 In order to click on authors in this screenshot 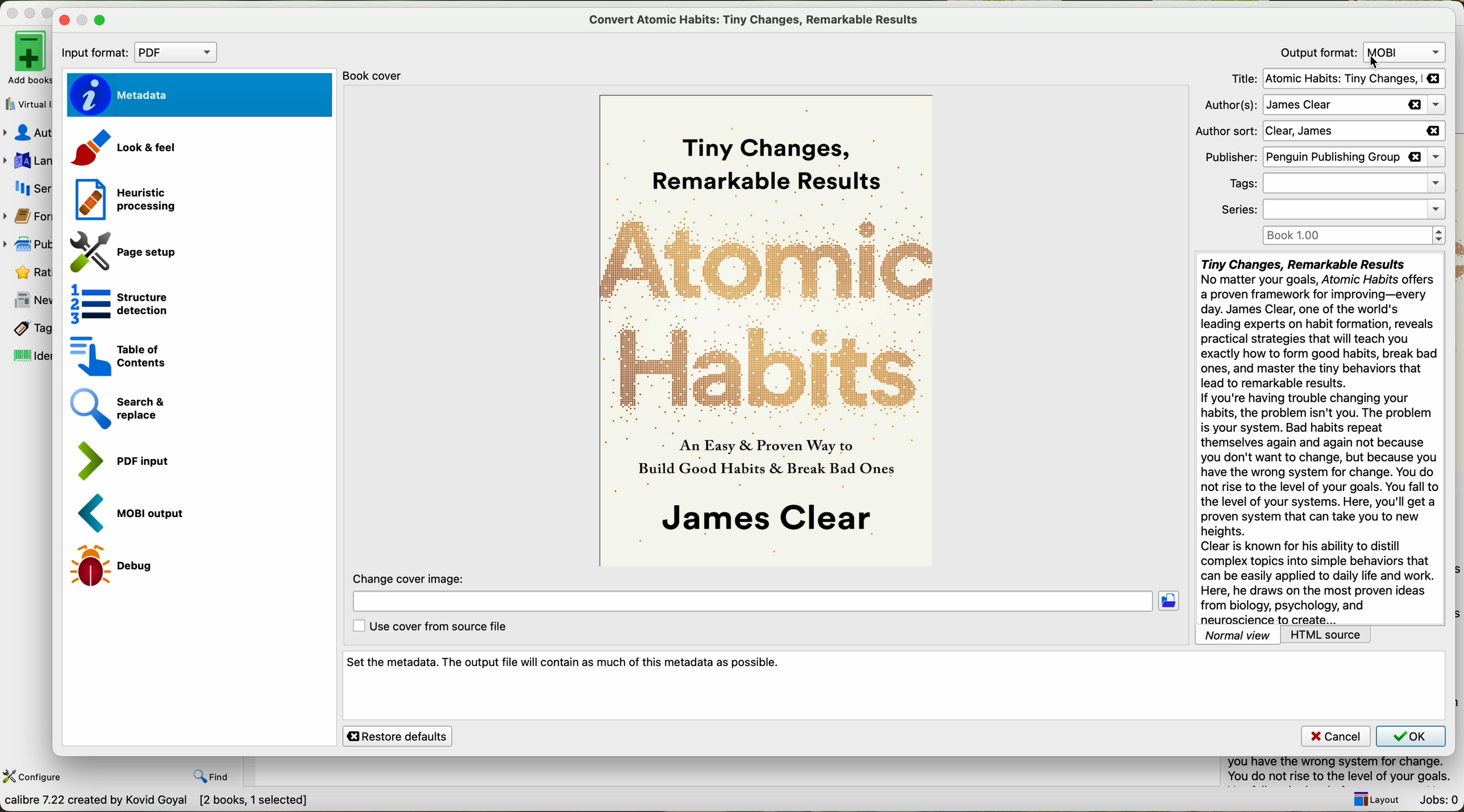, I will do `click(27, 134)`.